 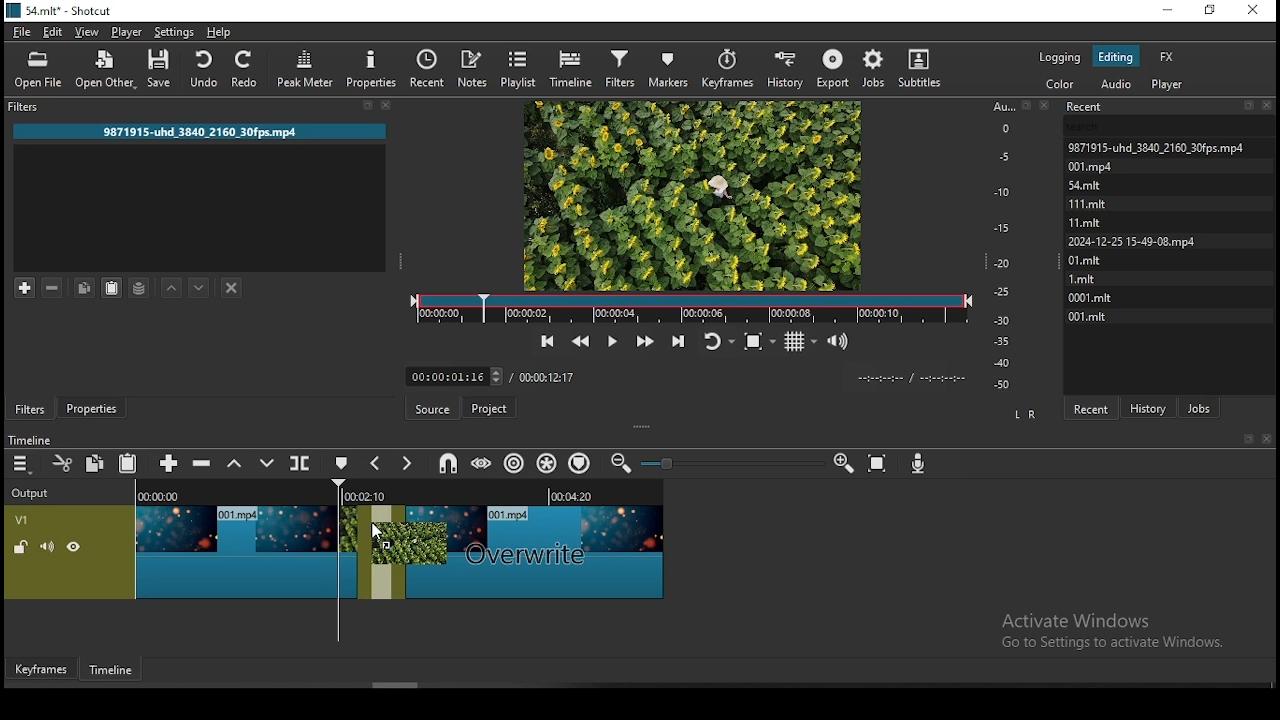 What do you see at coordinates (1267, 439) in the screenshot?
I see `close` at bounding box center [1267, 439].